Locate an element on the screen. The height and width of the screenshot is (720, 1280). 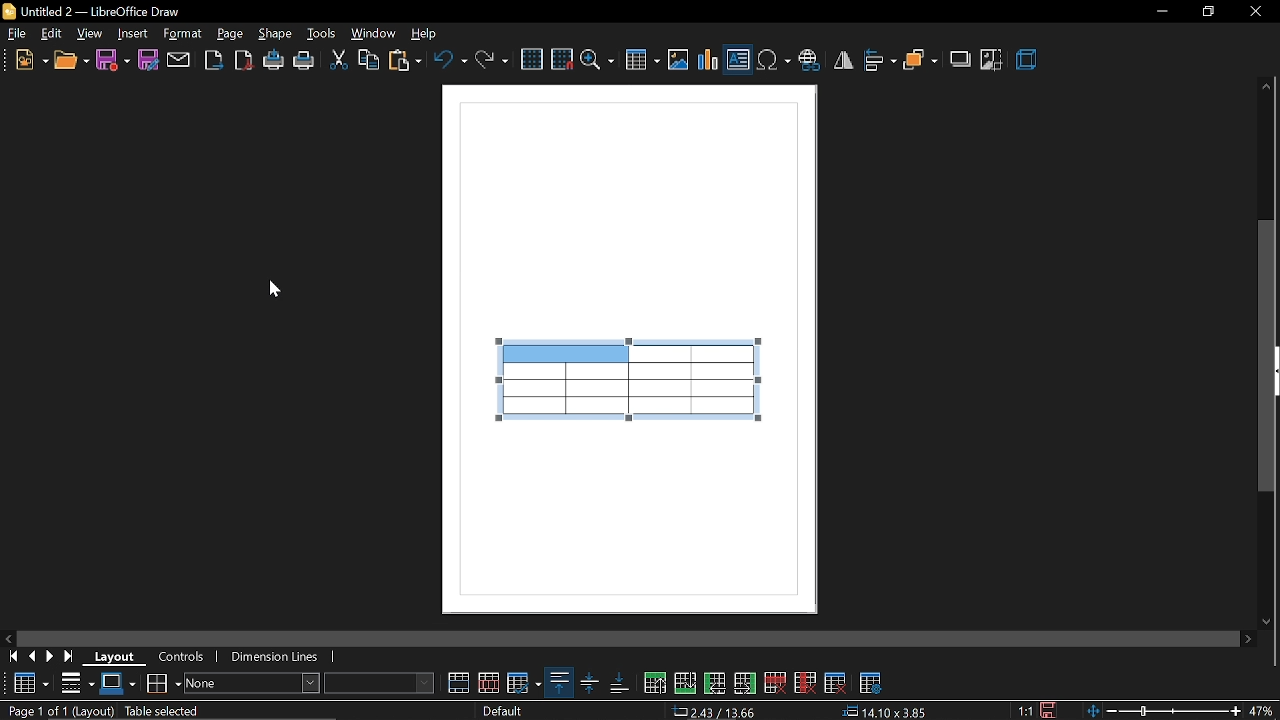
1:1 is located at coordinates (1024, 711).